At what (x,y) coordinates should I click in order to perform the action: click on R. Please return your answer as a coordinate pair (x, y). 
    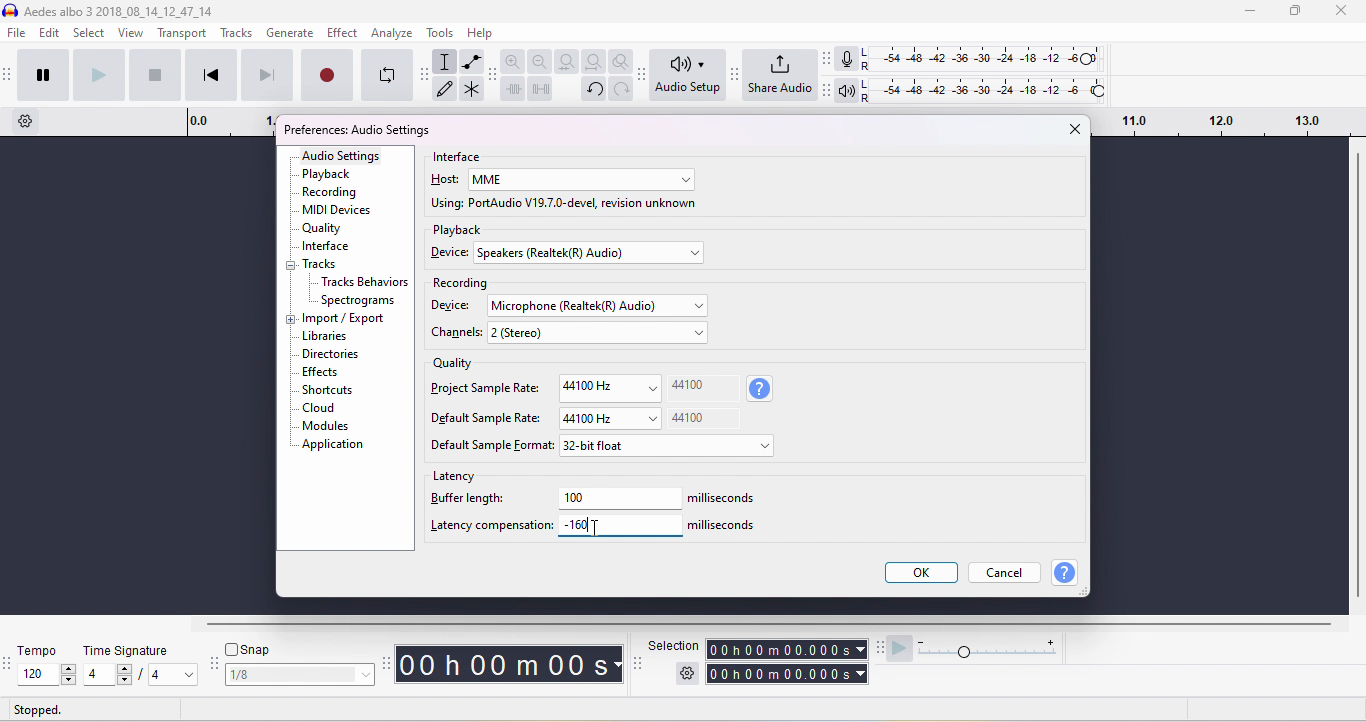
    Looking at the image, I should click on (869, 98).